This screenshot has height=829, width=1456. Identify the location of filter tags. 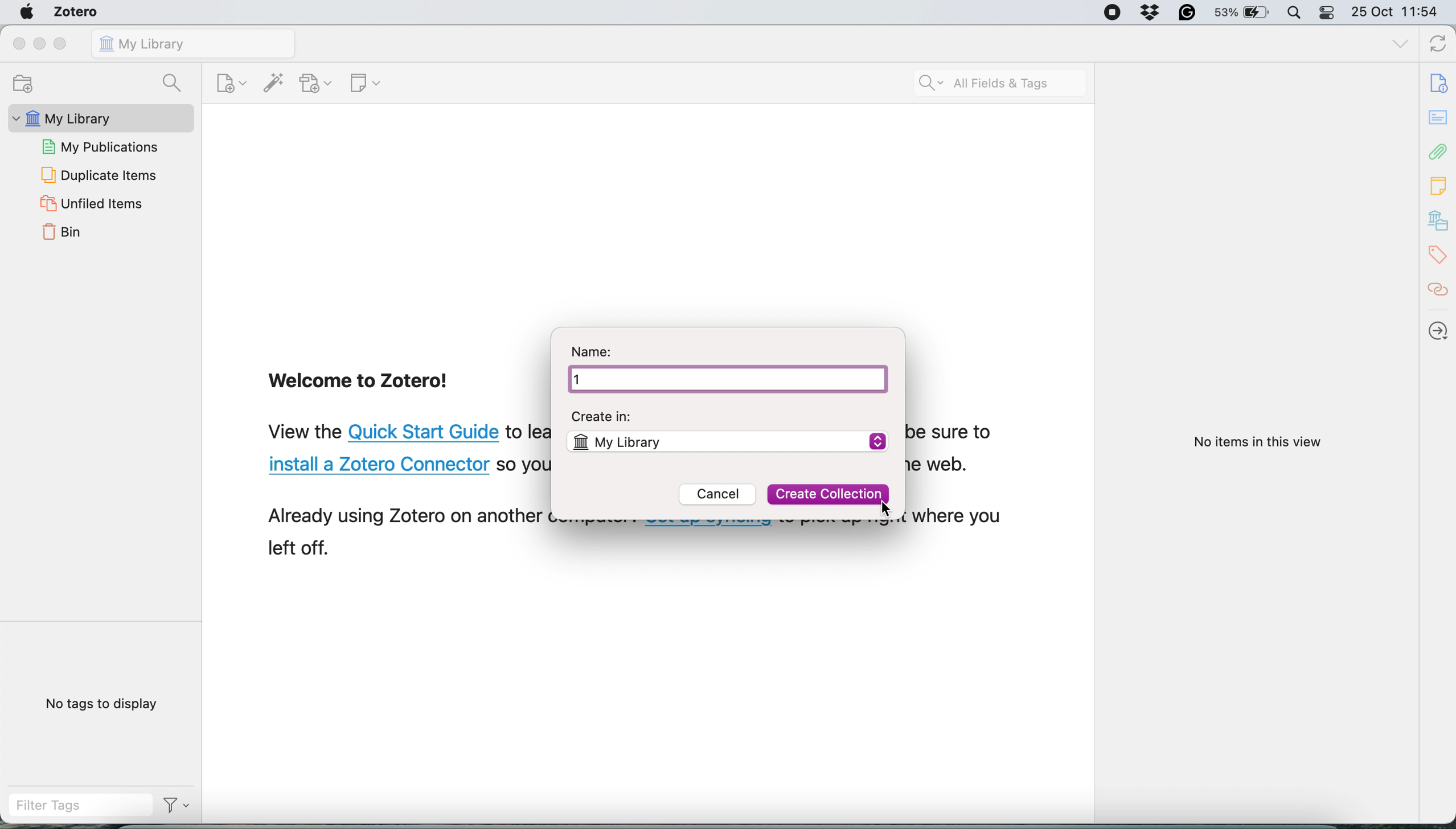
(77, 809).